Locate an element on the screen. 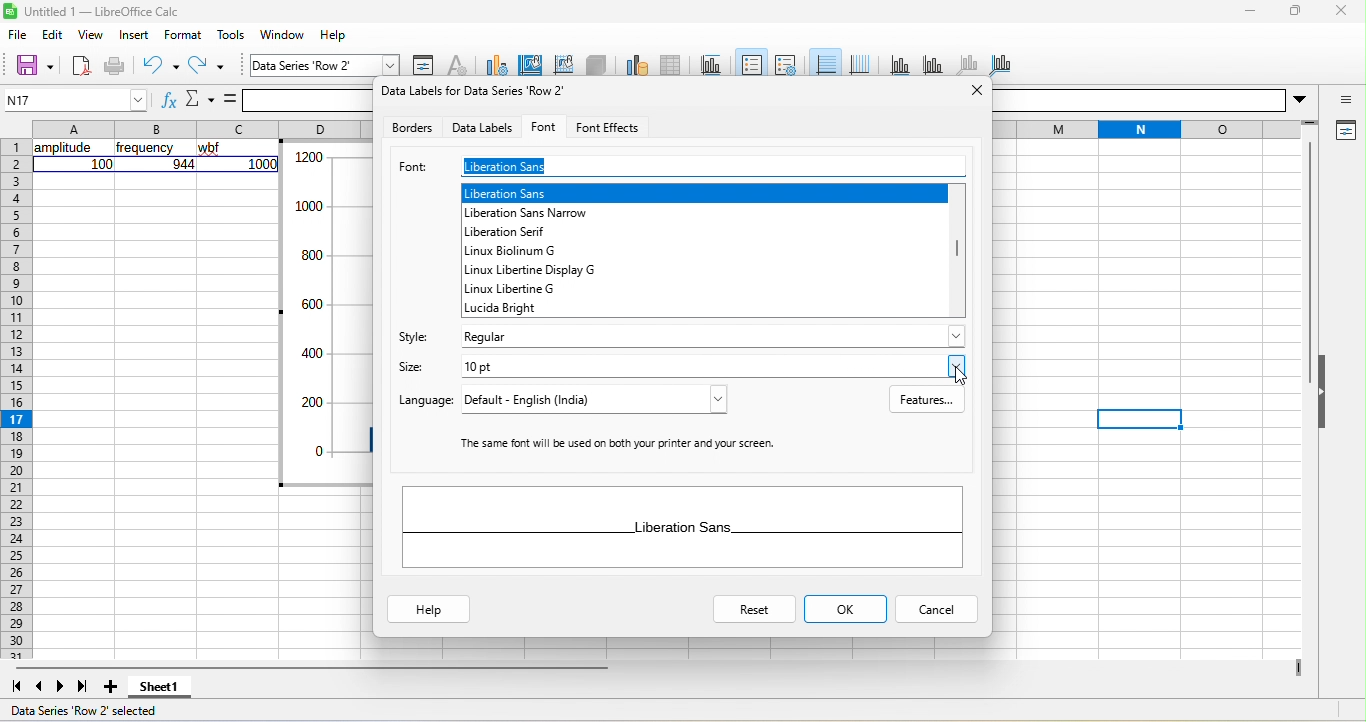 This screenshot has height=722, width=1366. sidebar settings is located at coordinates (1343, 96).